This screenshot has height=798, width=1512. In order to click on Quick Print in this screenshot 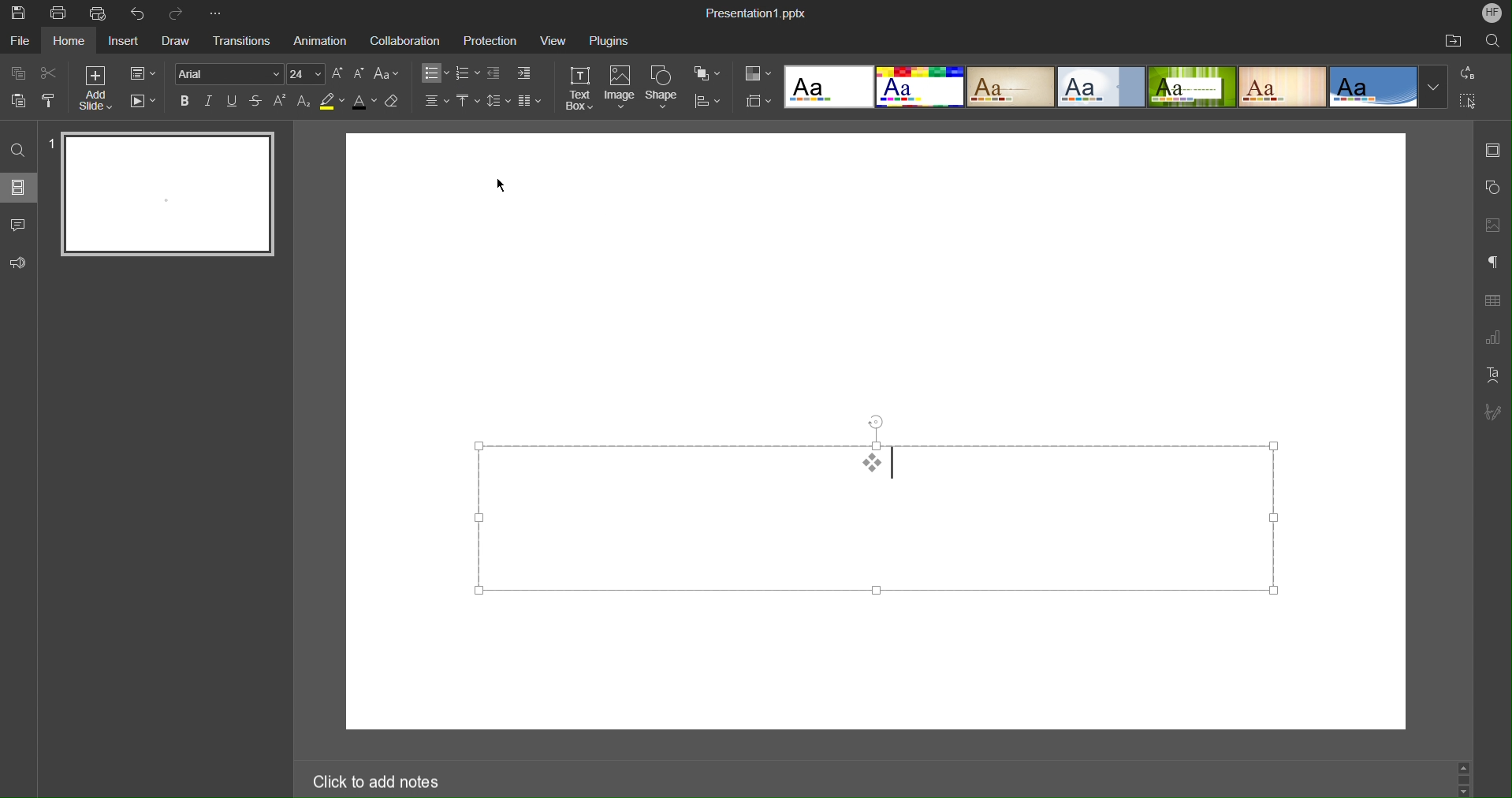, I will do `click(99, 13)`.